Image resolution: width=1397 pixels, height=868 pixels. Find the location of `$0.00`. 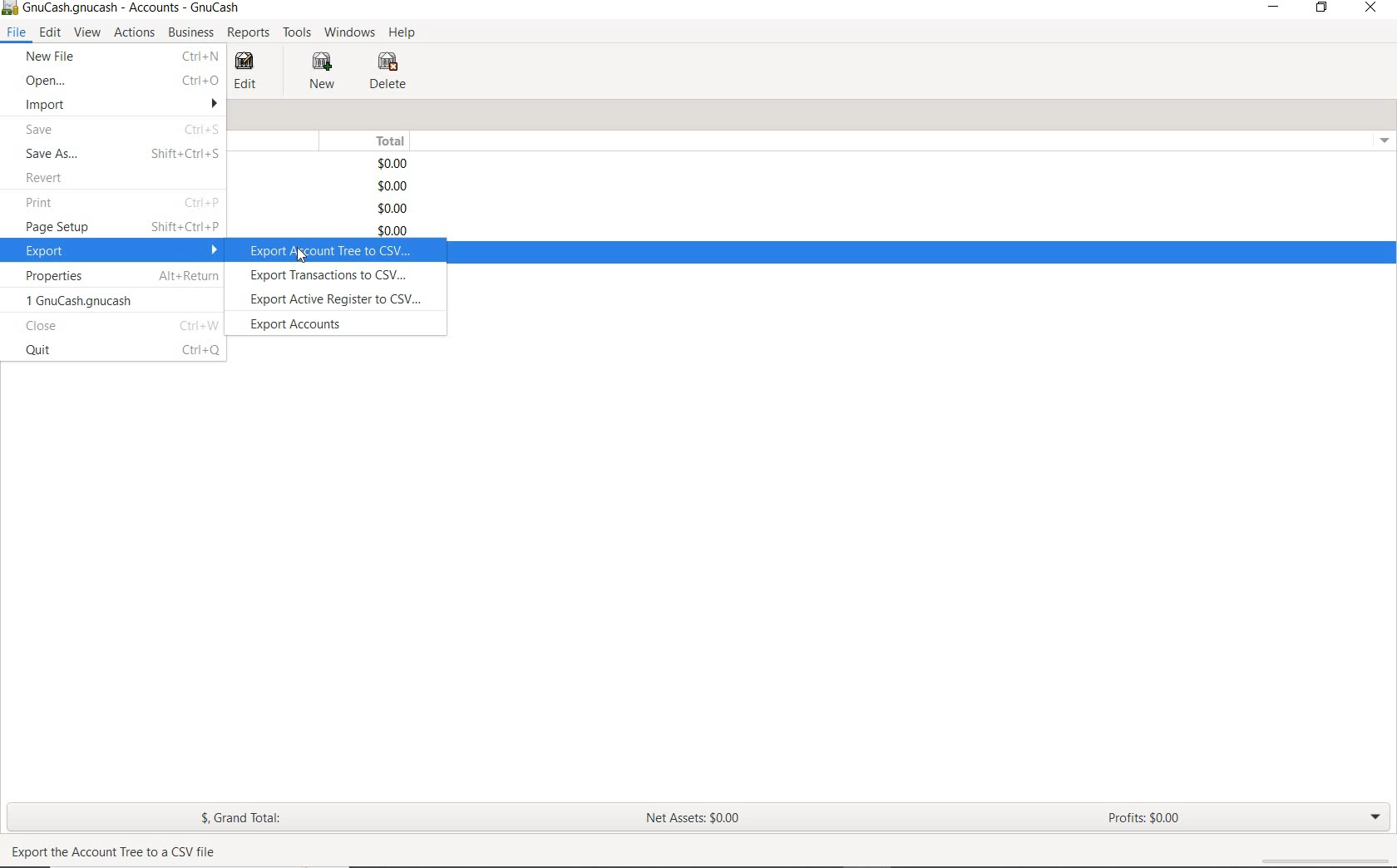

$0.00 is located at coordinates (393, 207).